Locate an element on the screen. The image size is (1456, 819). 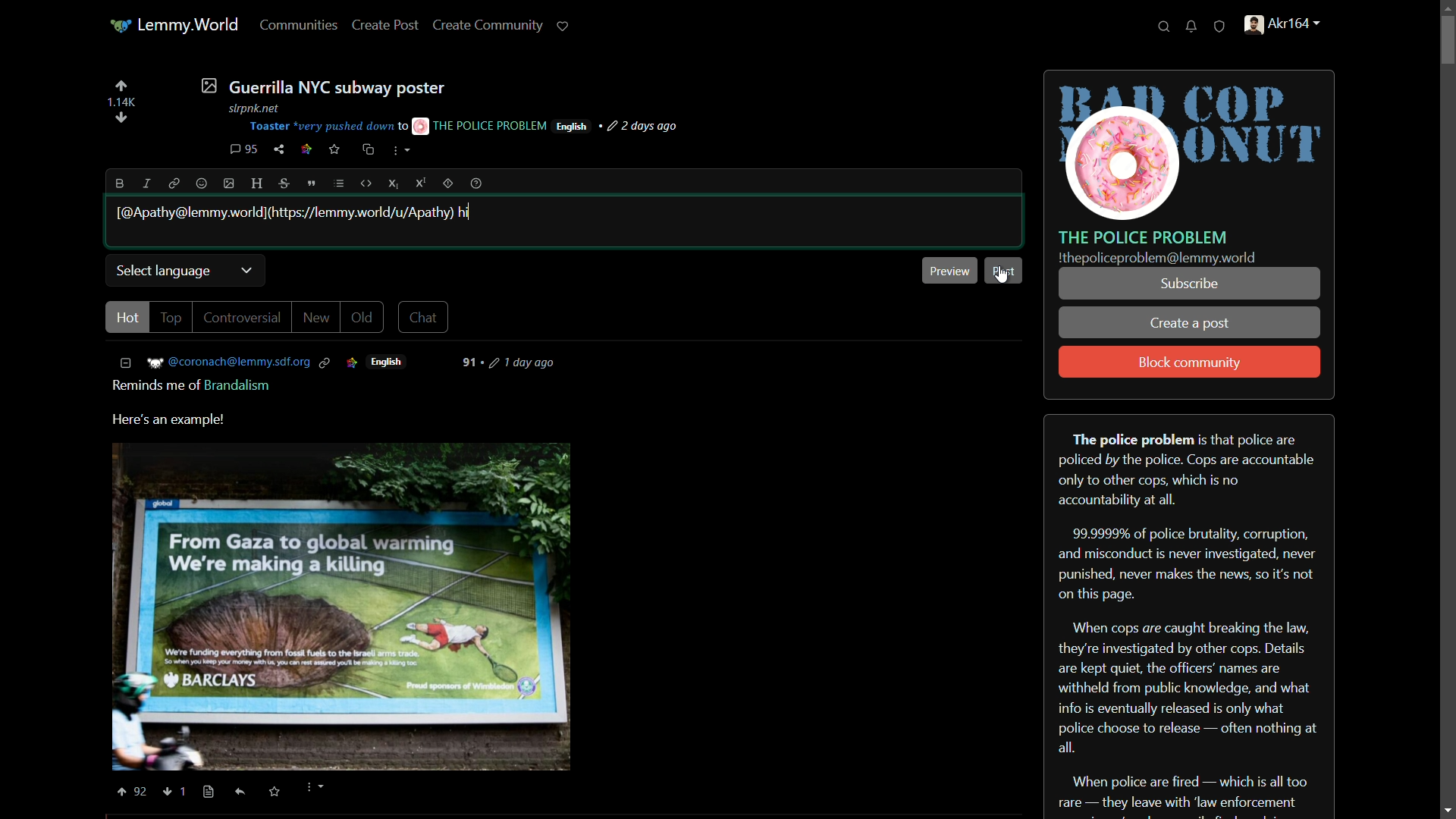
help is located at coordinates (476, 184).